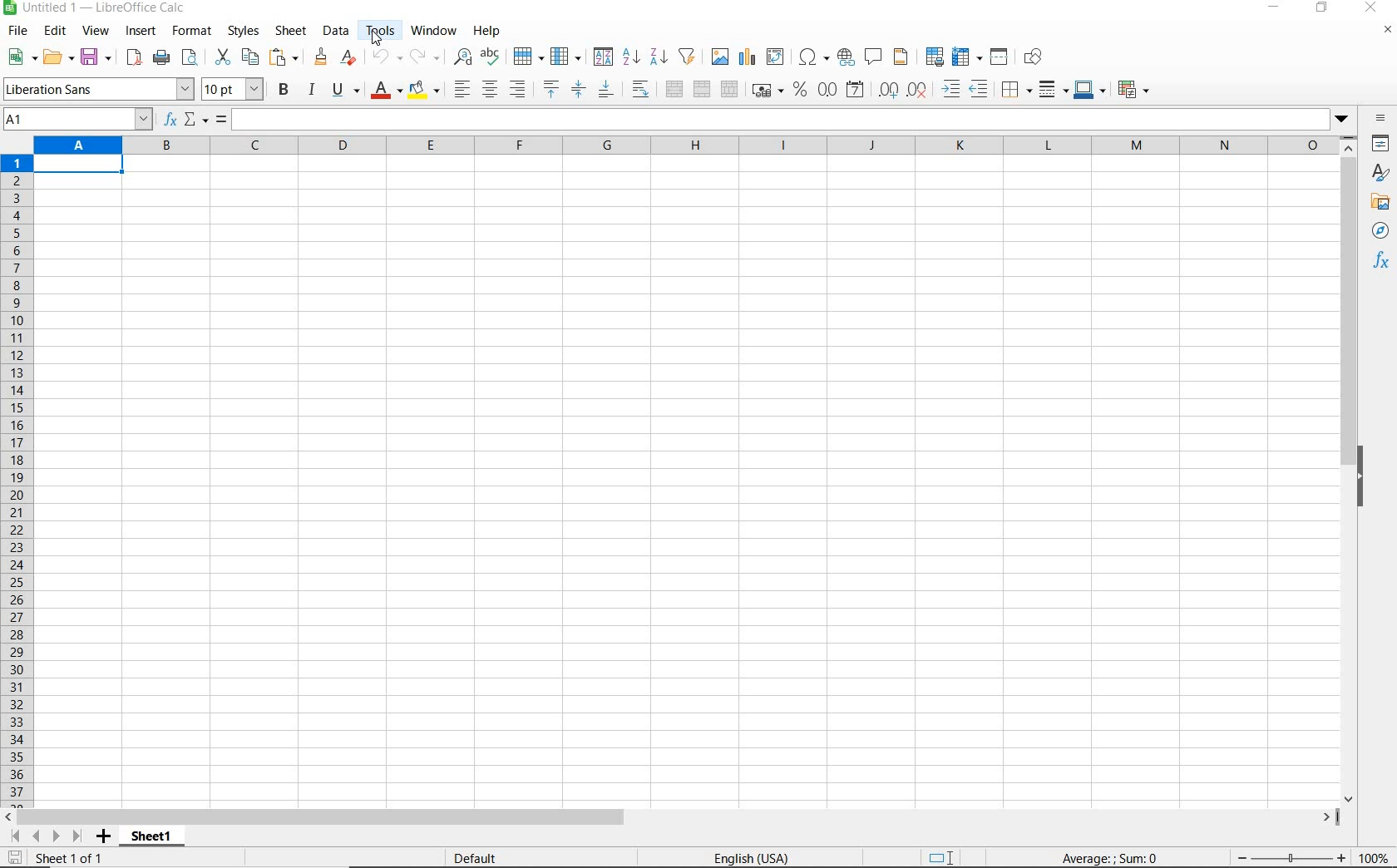 The height and width of the screenshot is (868, 1397). Describe the element at coordinates (872, 57) in the screenshot. I see `insert comment` at that location.